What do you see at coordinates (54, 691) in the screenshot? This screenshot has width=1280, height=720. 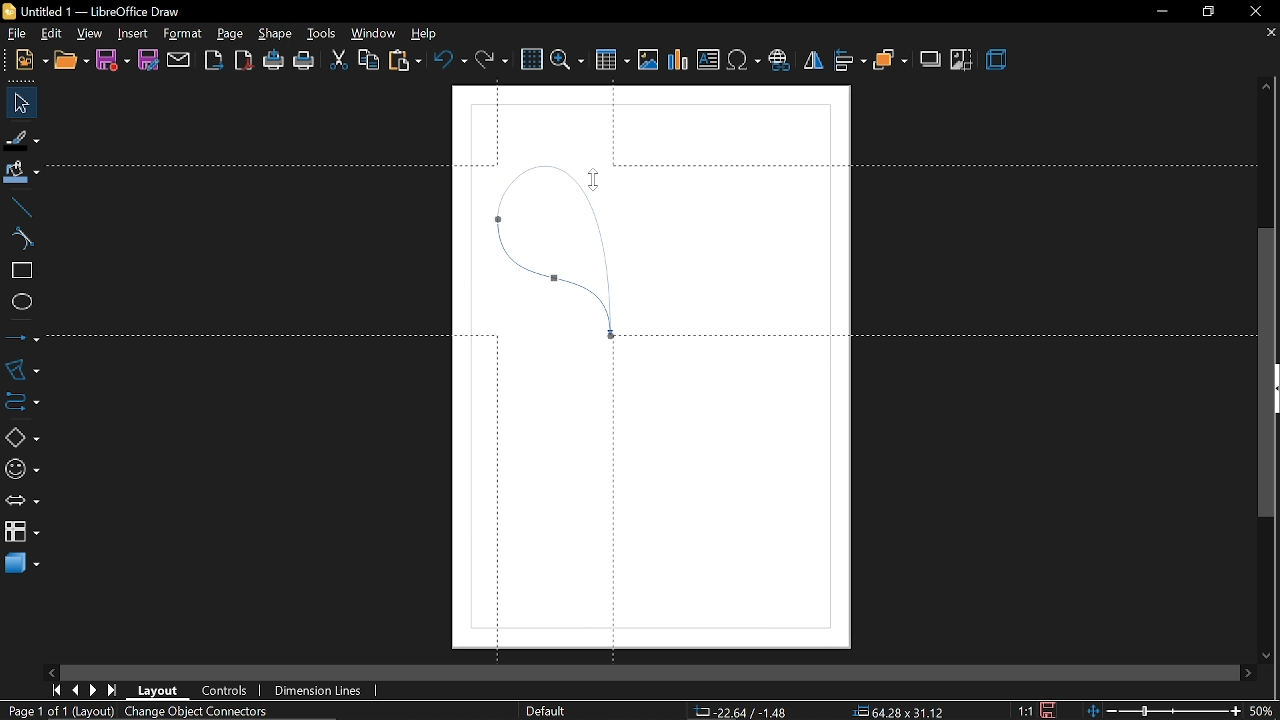 I see `go to first page` at bounding box center [54, 691].